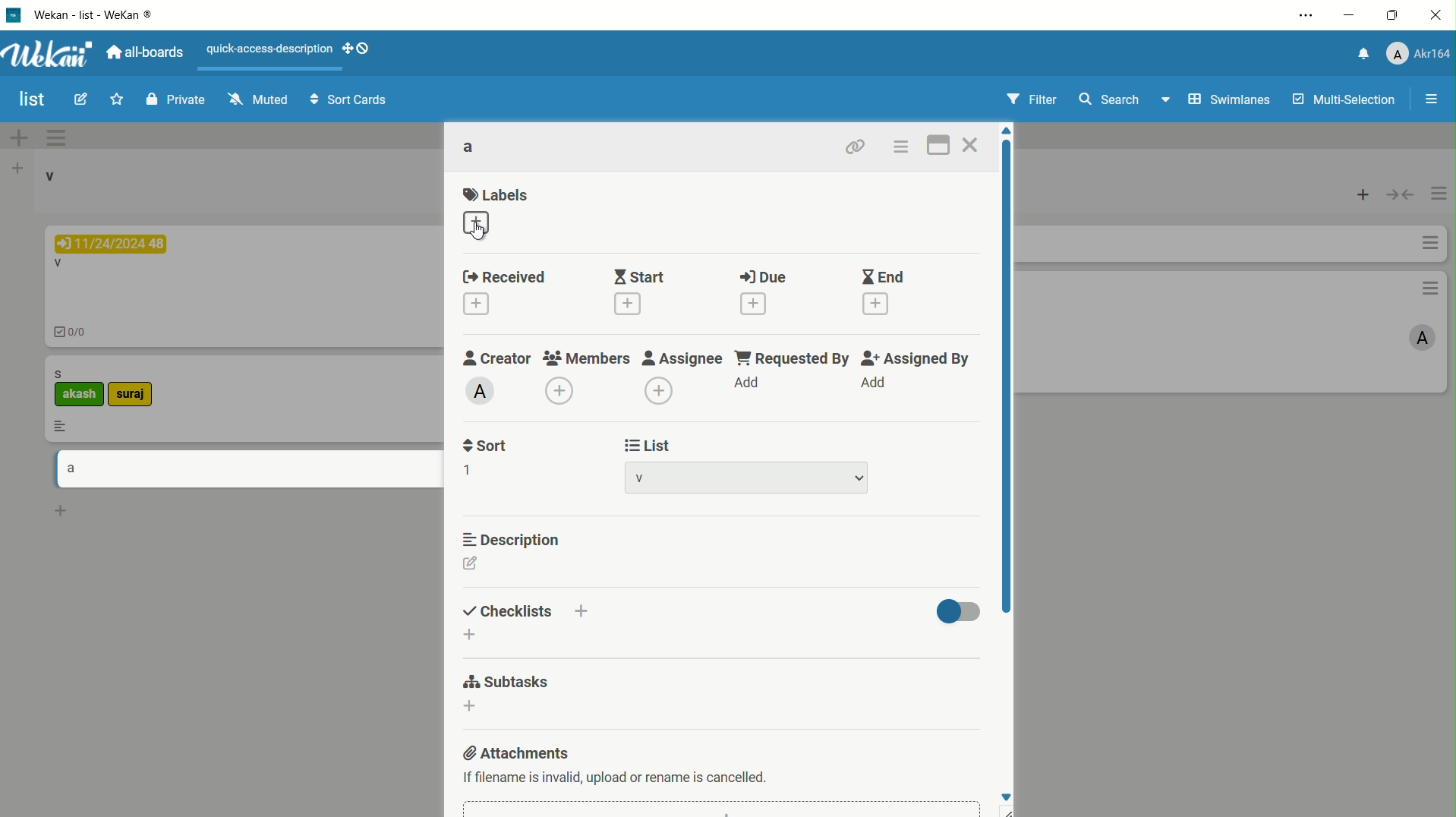  What do you see at coordinates (1029, 100) in the screenshot?
I see `filter` at bounding box center [1029, 100].